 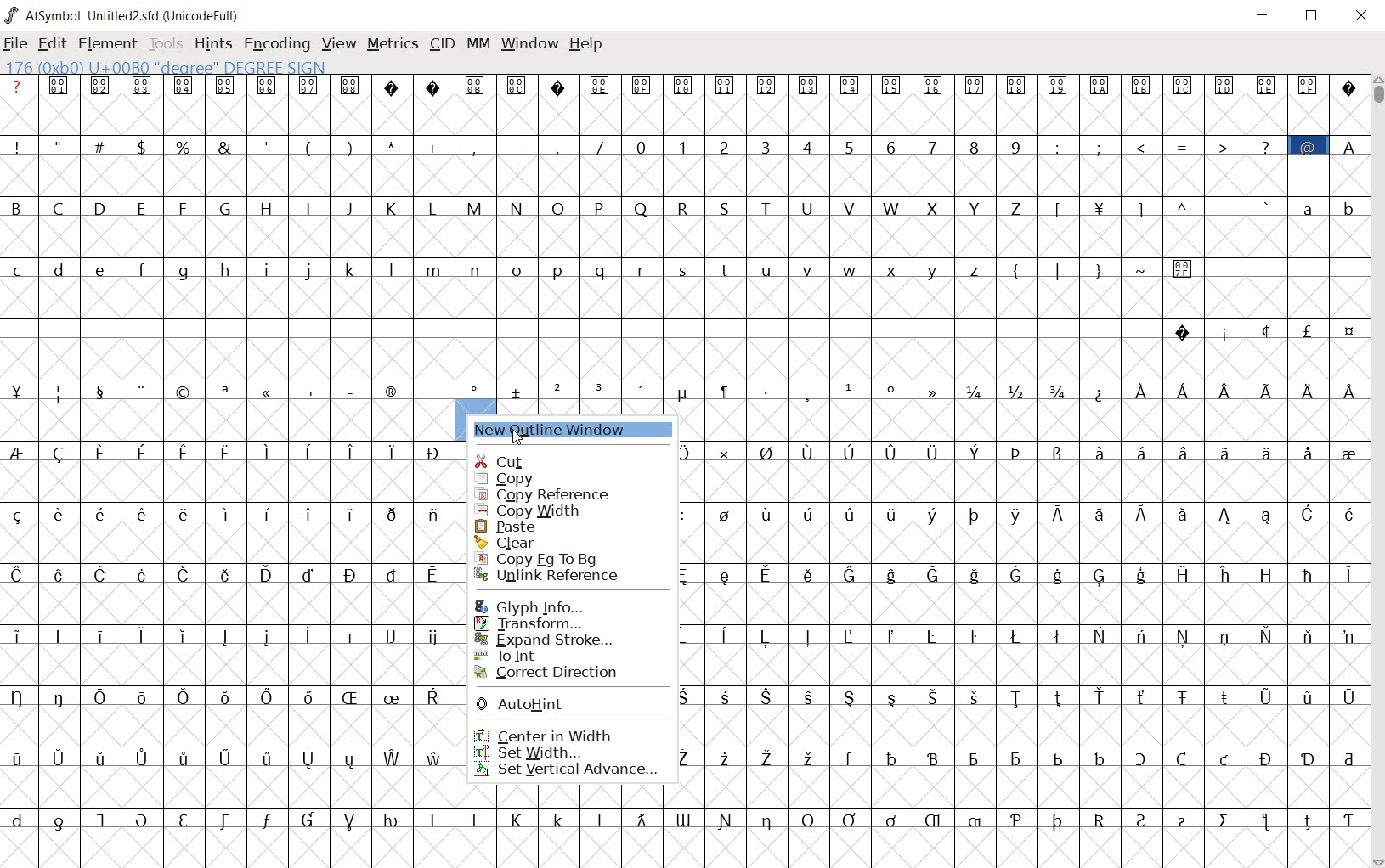 I want to click on selected glyph slot, so click(x=1307, y=176).